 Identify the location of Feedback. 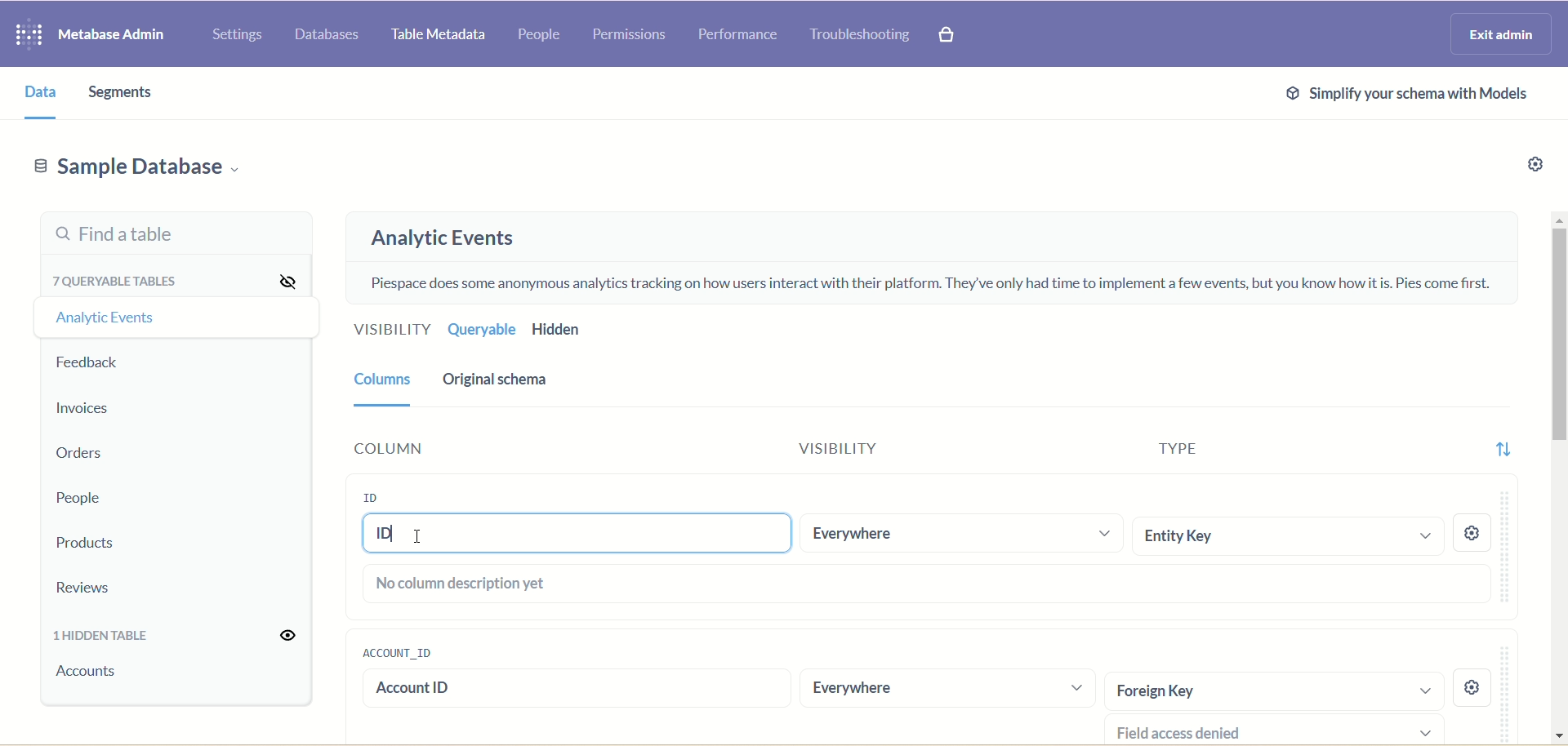
(96, 365).